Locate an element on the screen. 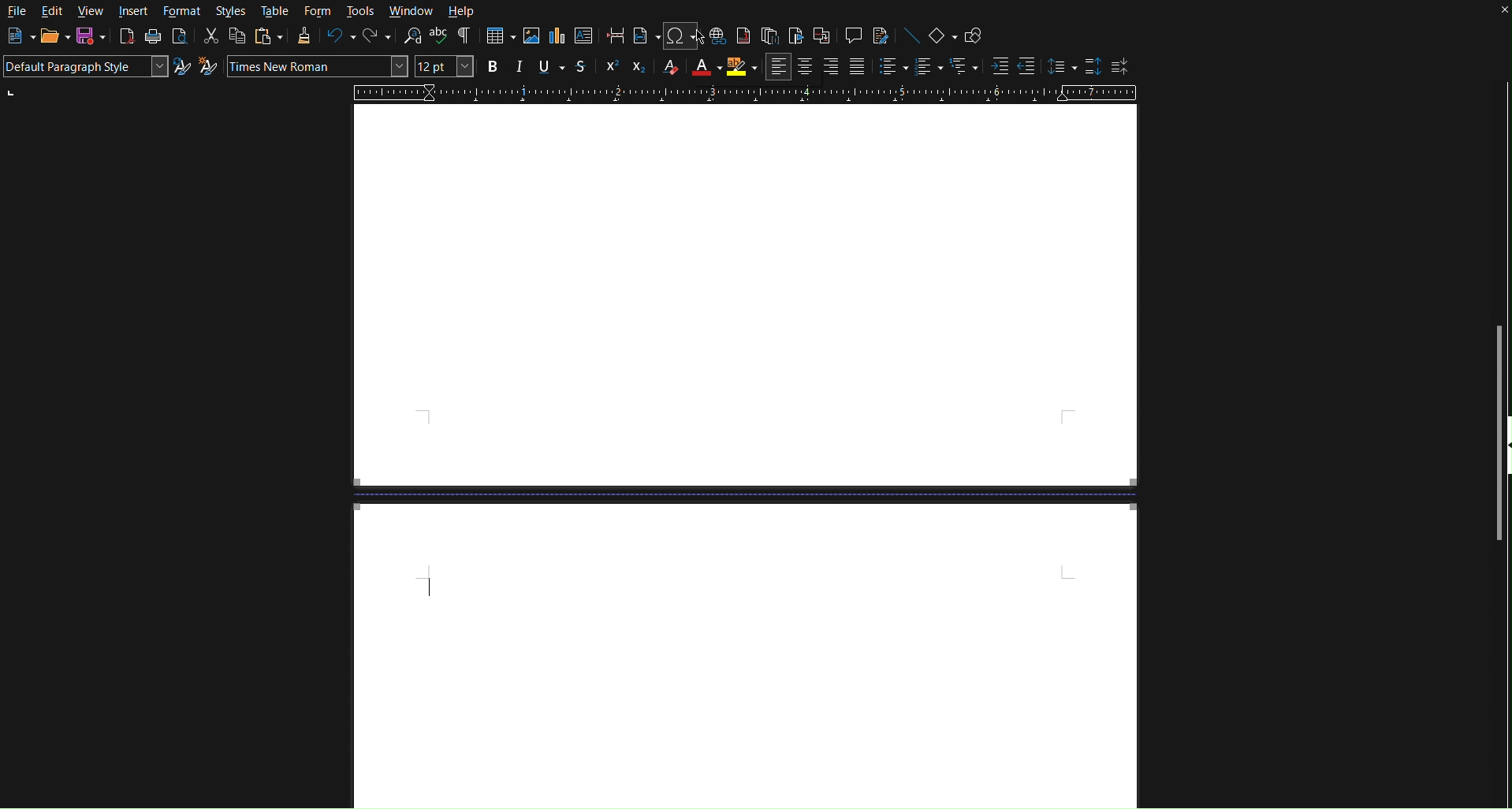 This screenshot has height=809, width=1512. Insert textbox is located at coordinates (583, 38).